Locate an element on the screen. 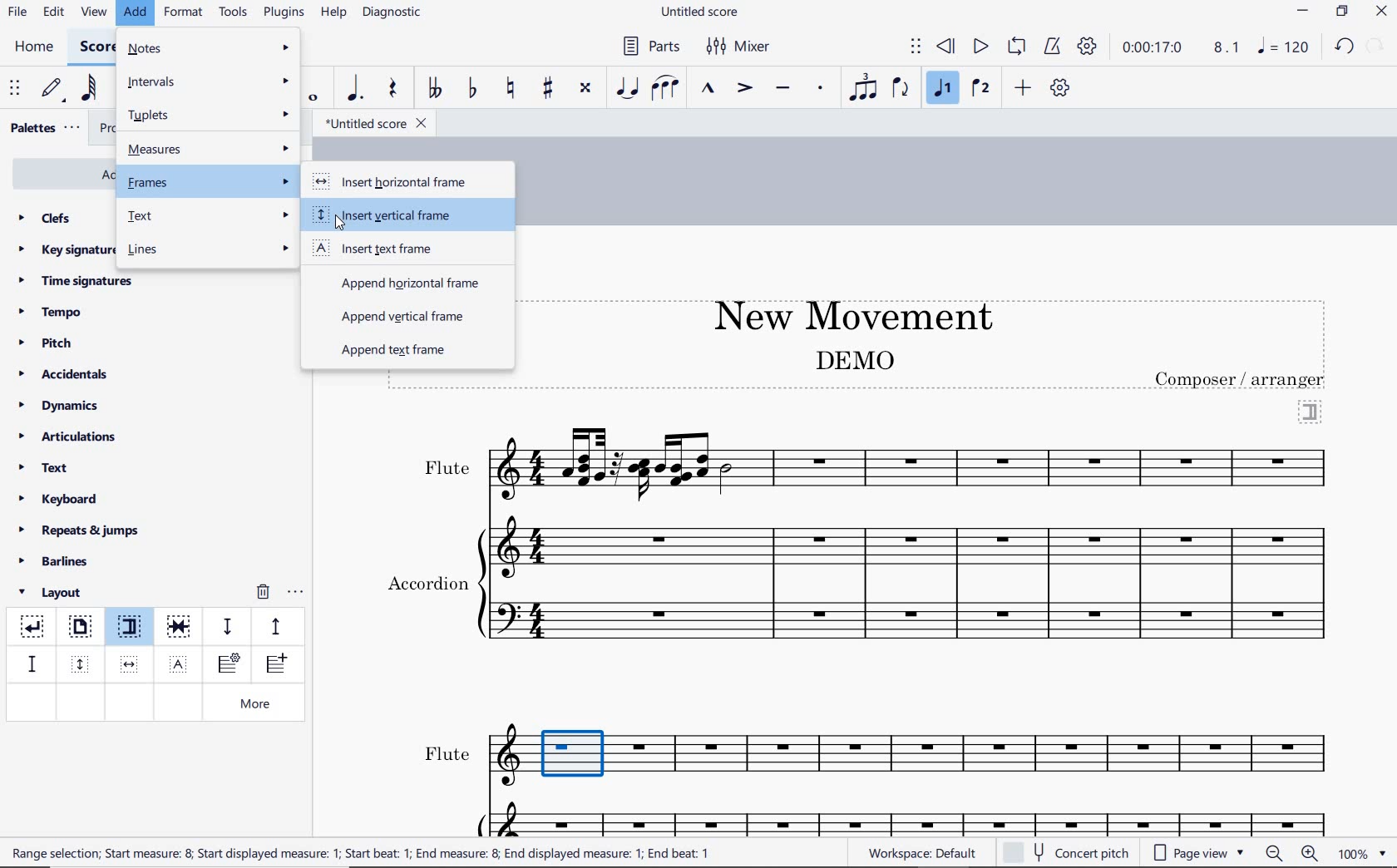 The width and height of the screenshot is (1397, 868). page break is located at coordinates (79, 629).